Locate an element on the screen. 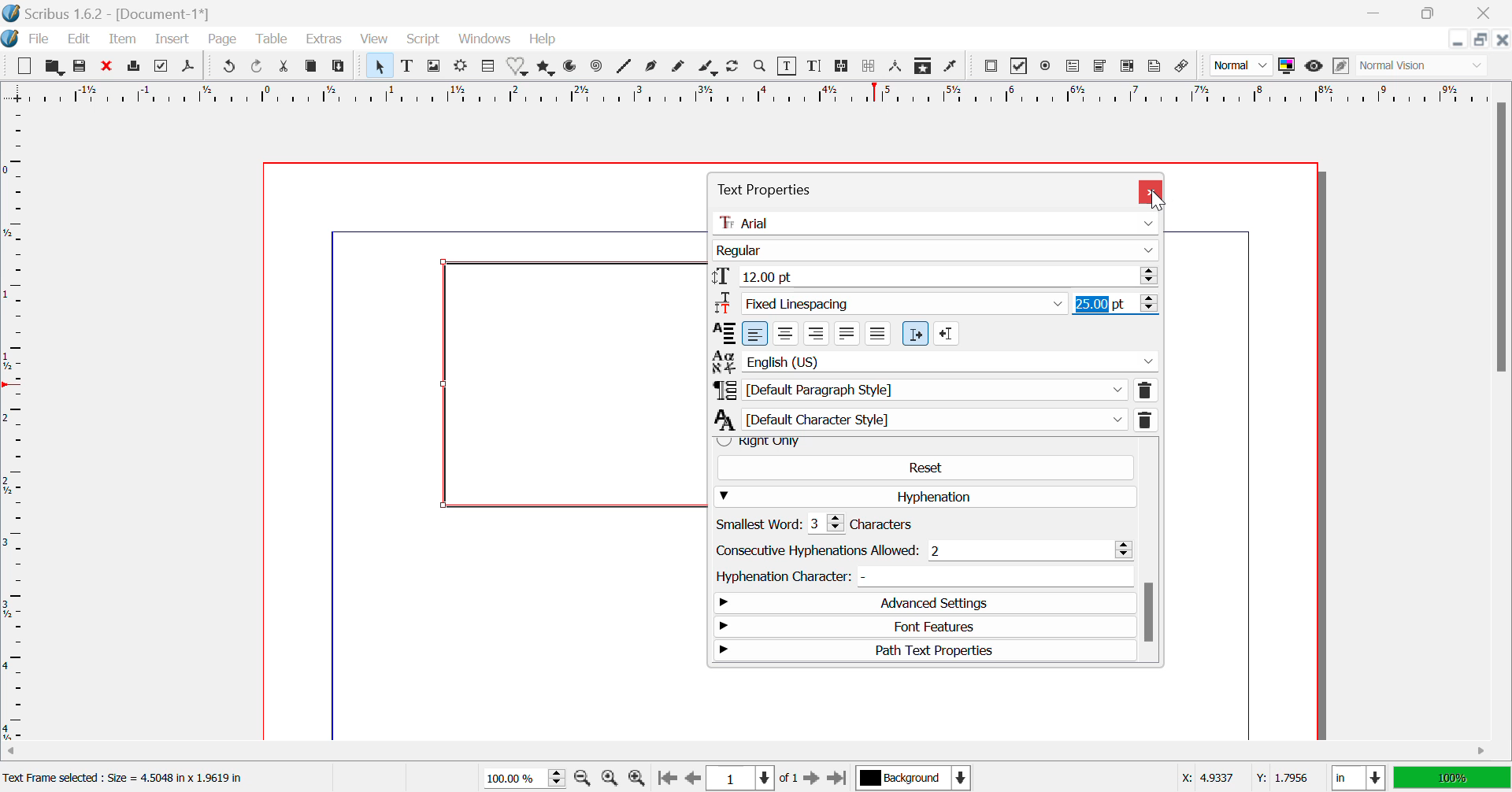 The height and width of the screenshot is (792, 1512). Arcs is located at coordinates (573, 68).